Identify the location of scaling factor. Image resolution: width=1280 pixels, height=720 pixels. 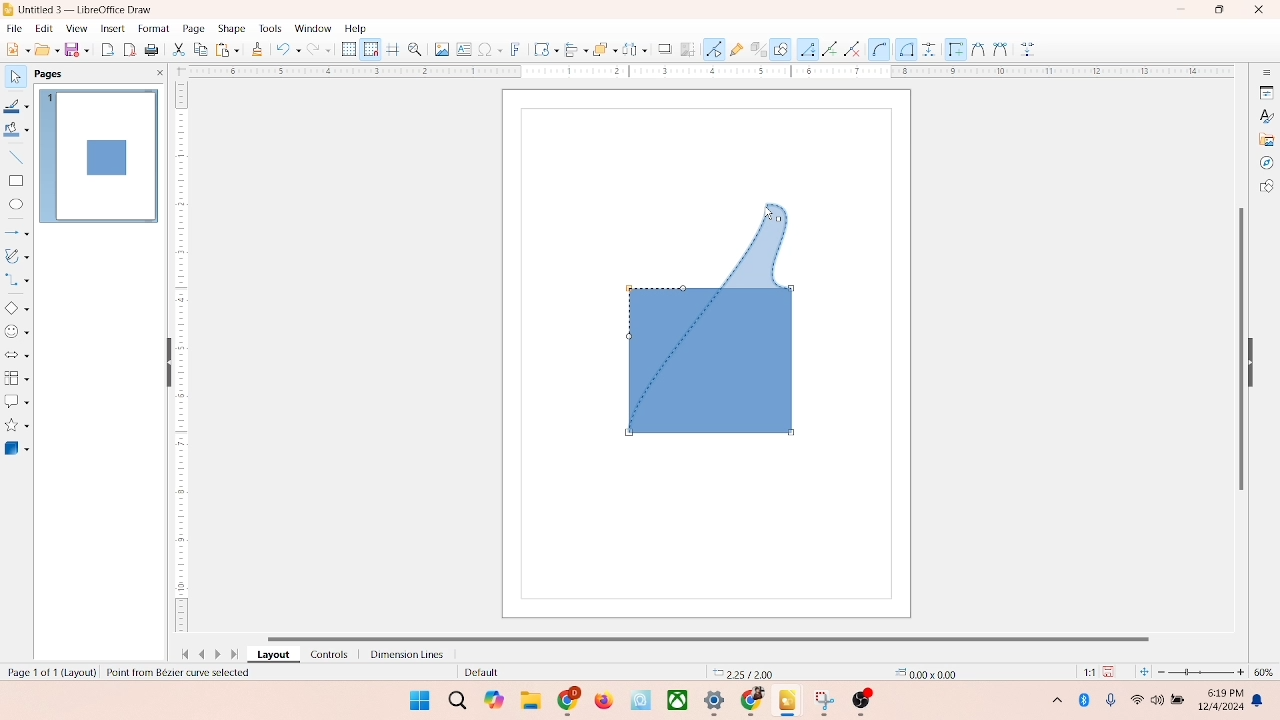
(1084, 672).